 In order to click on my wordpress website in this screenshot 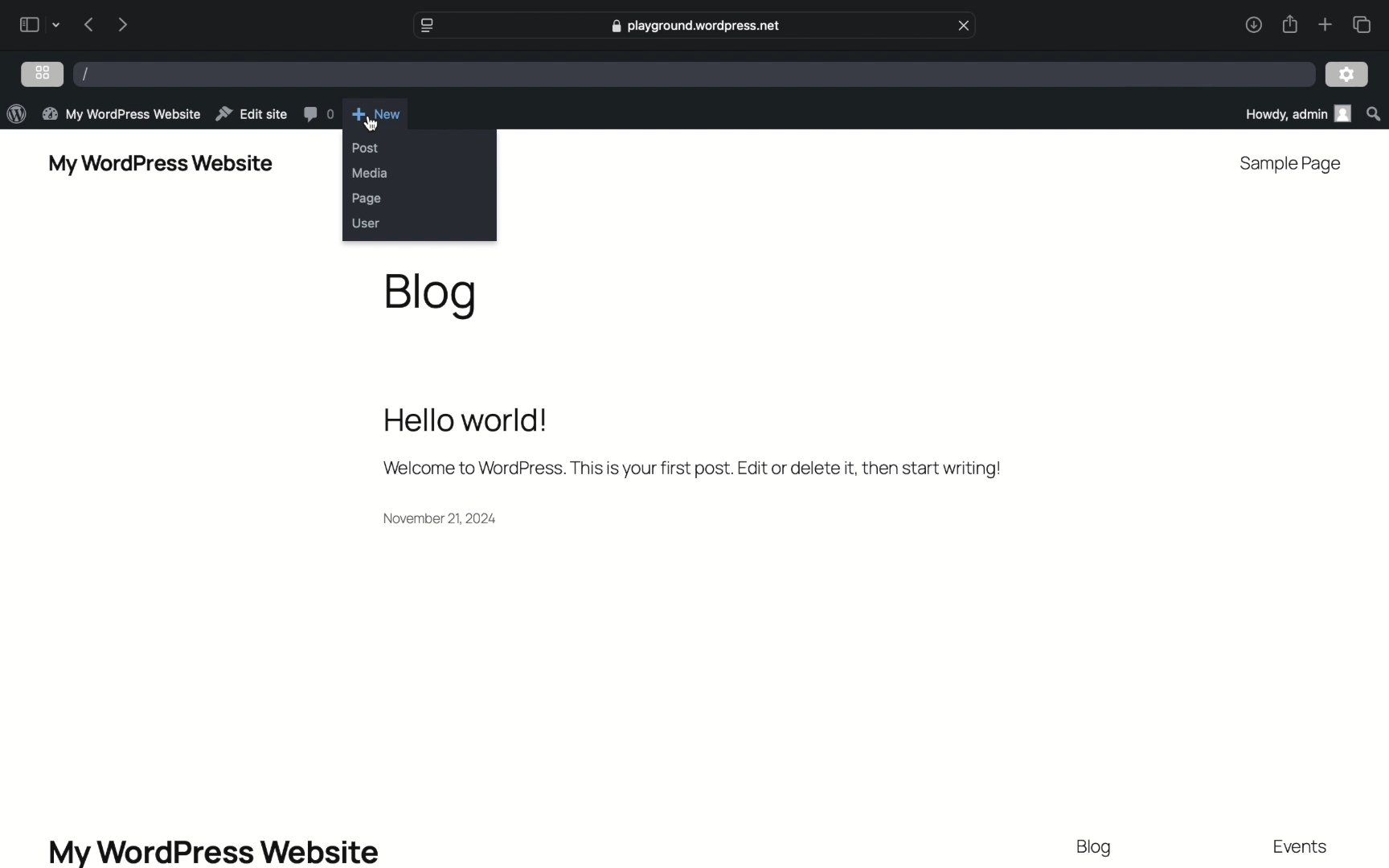, I will do `click(122, 115)`.